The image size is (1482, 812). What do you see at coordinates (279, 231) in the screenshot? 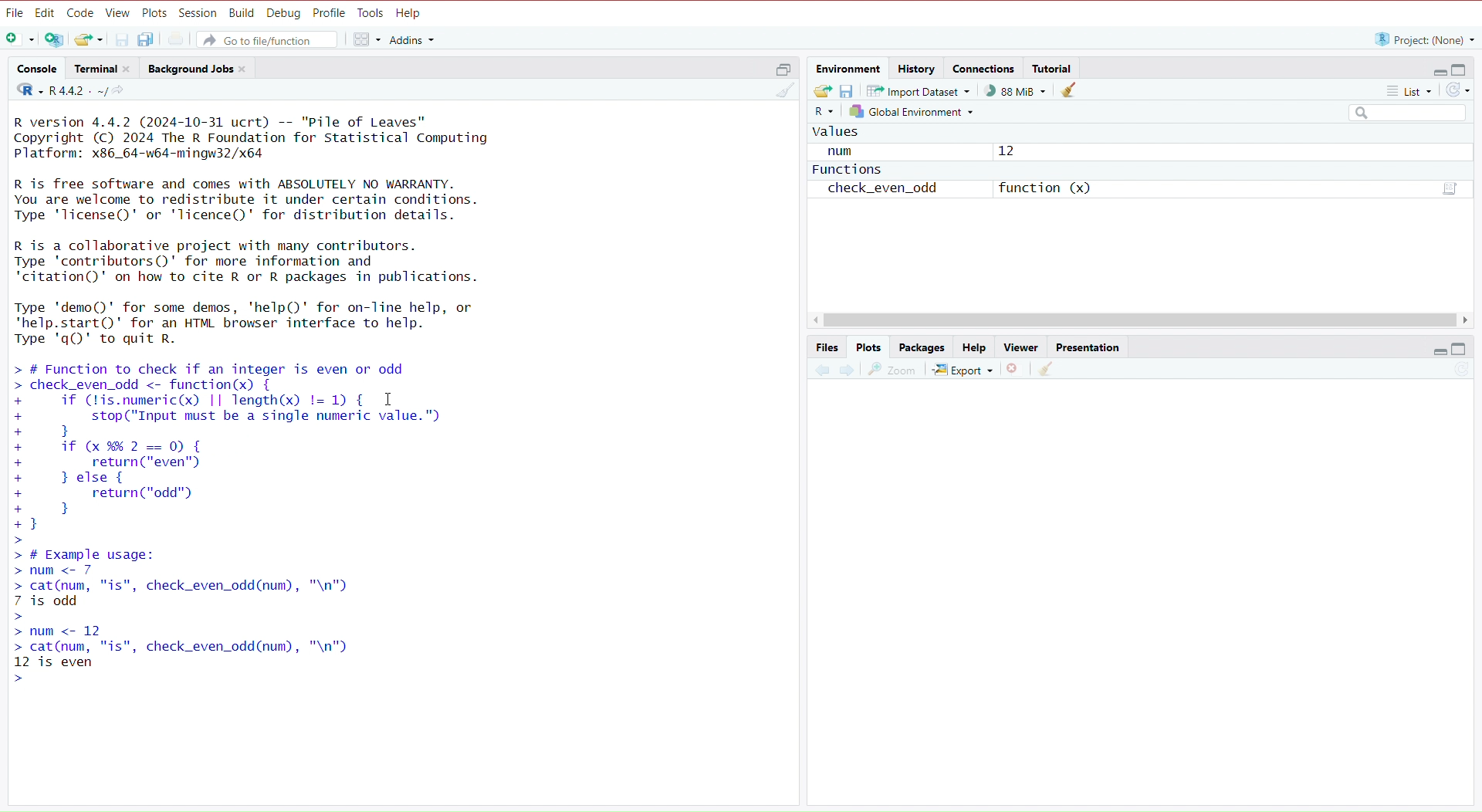
I see `R version 4.4.2 (2024-10-31 ucrt) -- "Pile of Leaves"
Copyright (C) 2024 The R Foundation for Statistical Computing
Platform: x86_64-w64-mingw32/x64

R is free software and comes with ABSOLUTELY NO WARRANTY.
You are welcome to redistribute it under certain conditions.
Type 'license()' or 'licence()' for distribution details.

R is a collaborative project with many contributors.

Type 'contributors()' for more information and

"citation()' on how to cite R or R packages in publications.
Type 'demo()' for some demos, ‘help()' for on-line help, or
'help.start()' for an HTML browser interface to help.

Type 'qQ)' to quit R.

>` at bounding box center [279, 231].